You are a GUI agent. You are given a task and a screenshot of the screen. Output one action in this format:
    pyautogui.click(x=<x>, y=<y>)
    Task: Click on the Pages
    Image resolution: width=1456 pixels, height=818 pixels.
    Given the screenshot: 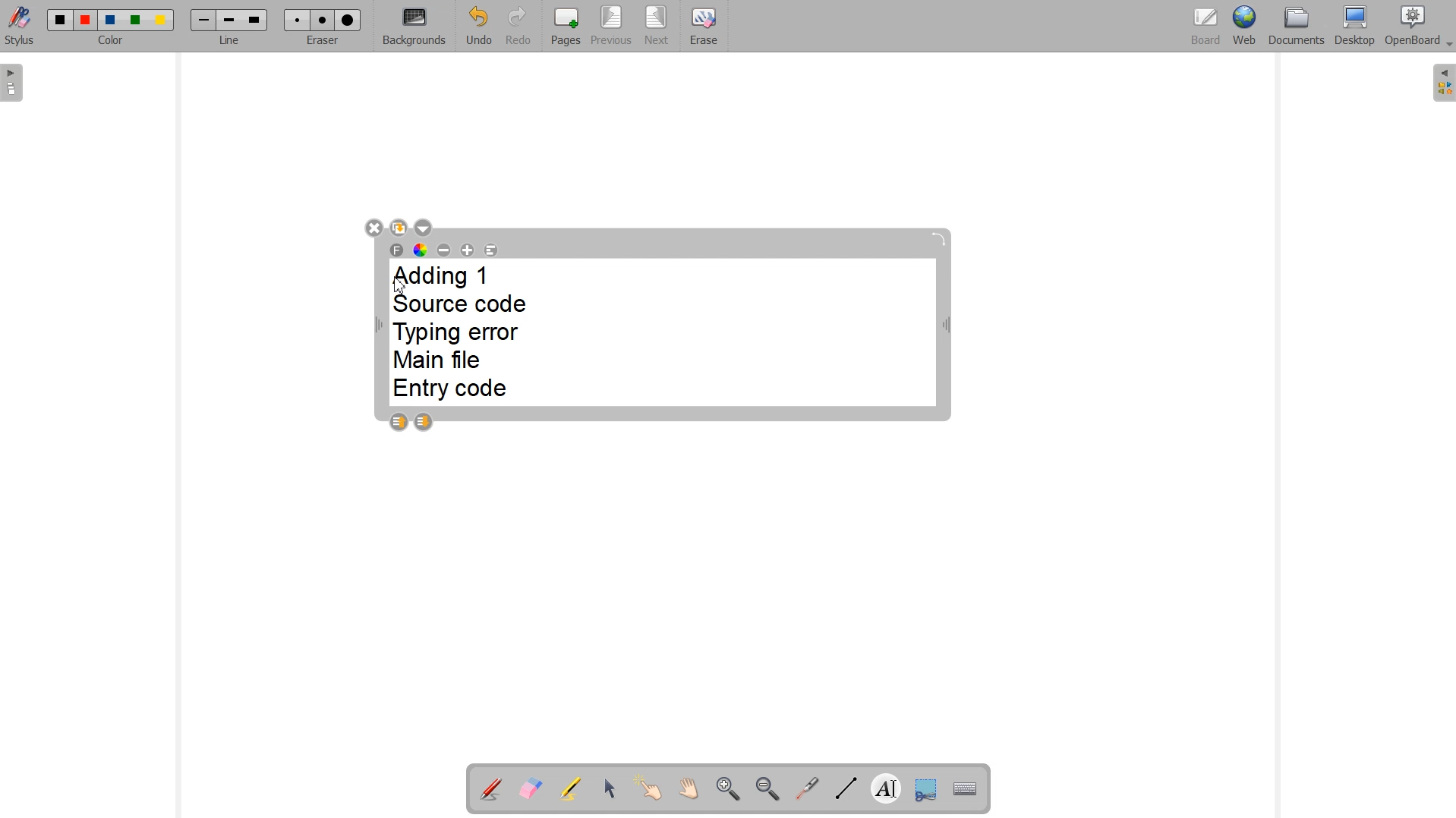 What is the action you would take?
    pyautogui.click(x=566, y=26)
    